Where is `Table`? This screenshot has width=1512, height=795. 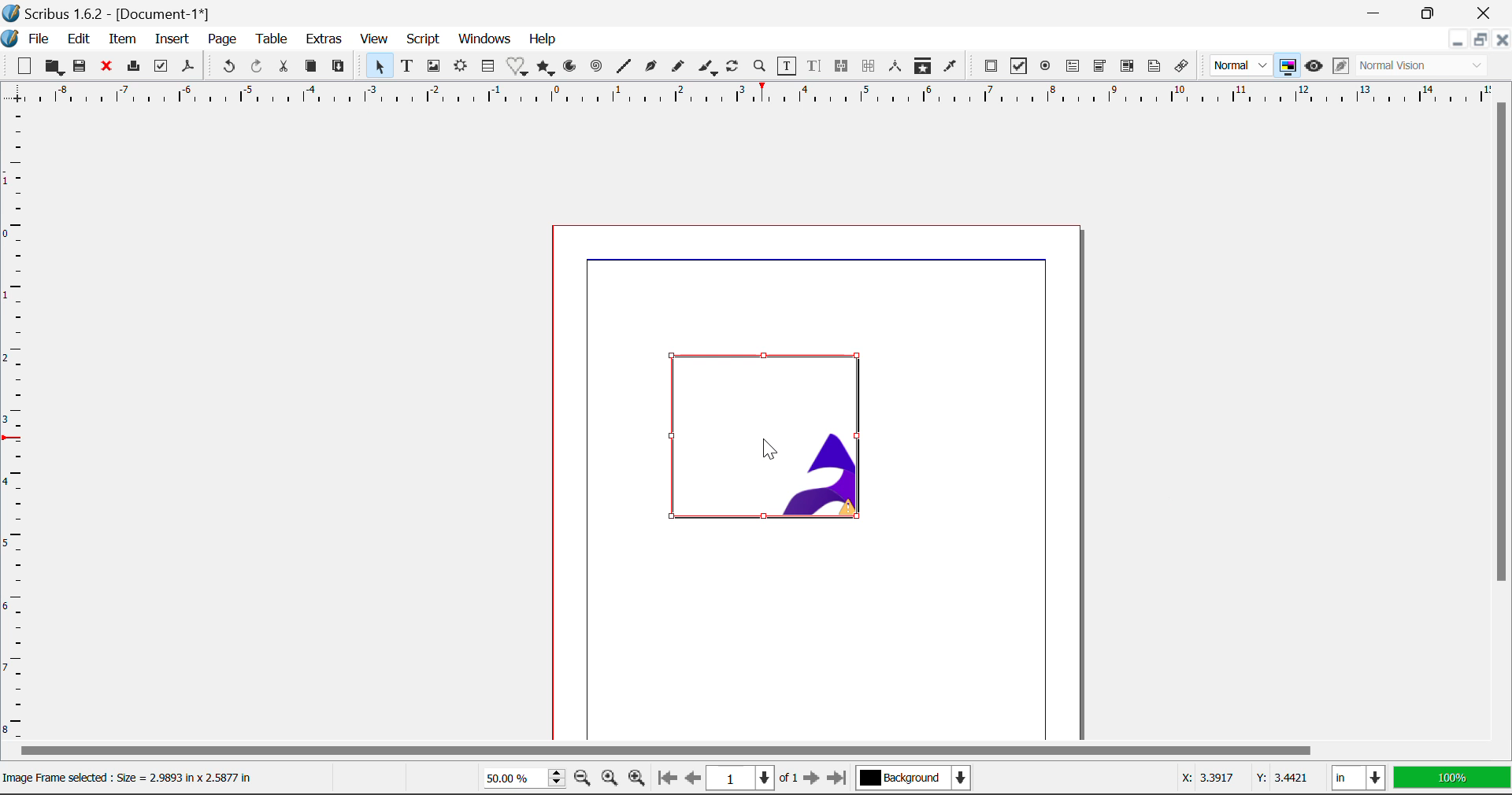
Table is located at coordinates (272, 42).